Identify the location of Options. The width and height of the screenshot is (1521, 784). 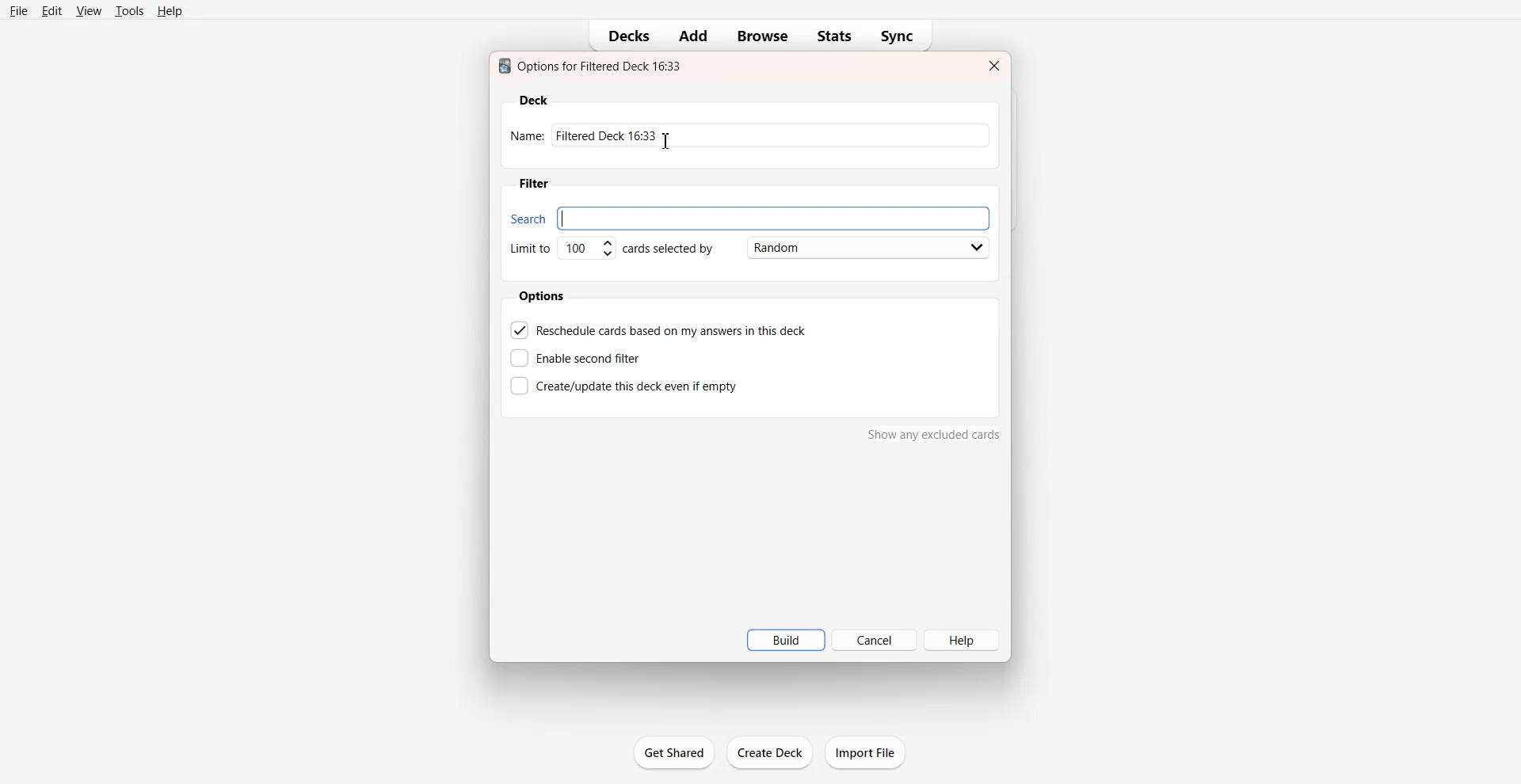
(544, 296).